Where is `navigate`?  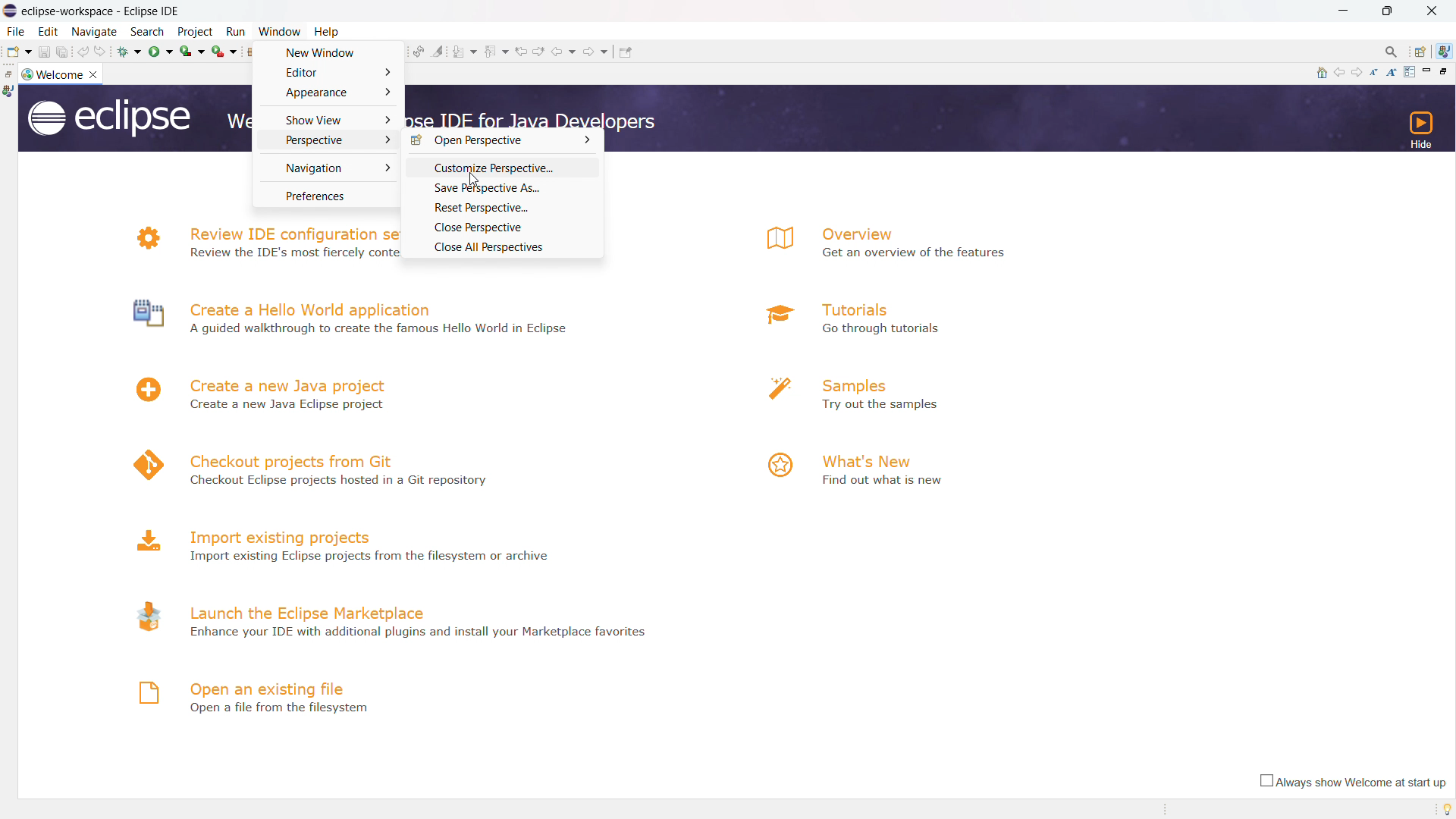 navigate is located at coordinates (95, 32).